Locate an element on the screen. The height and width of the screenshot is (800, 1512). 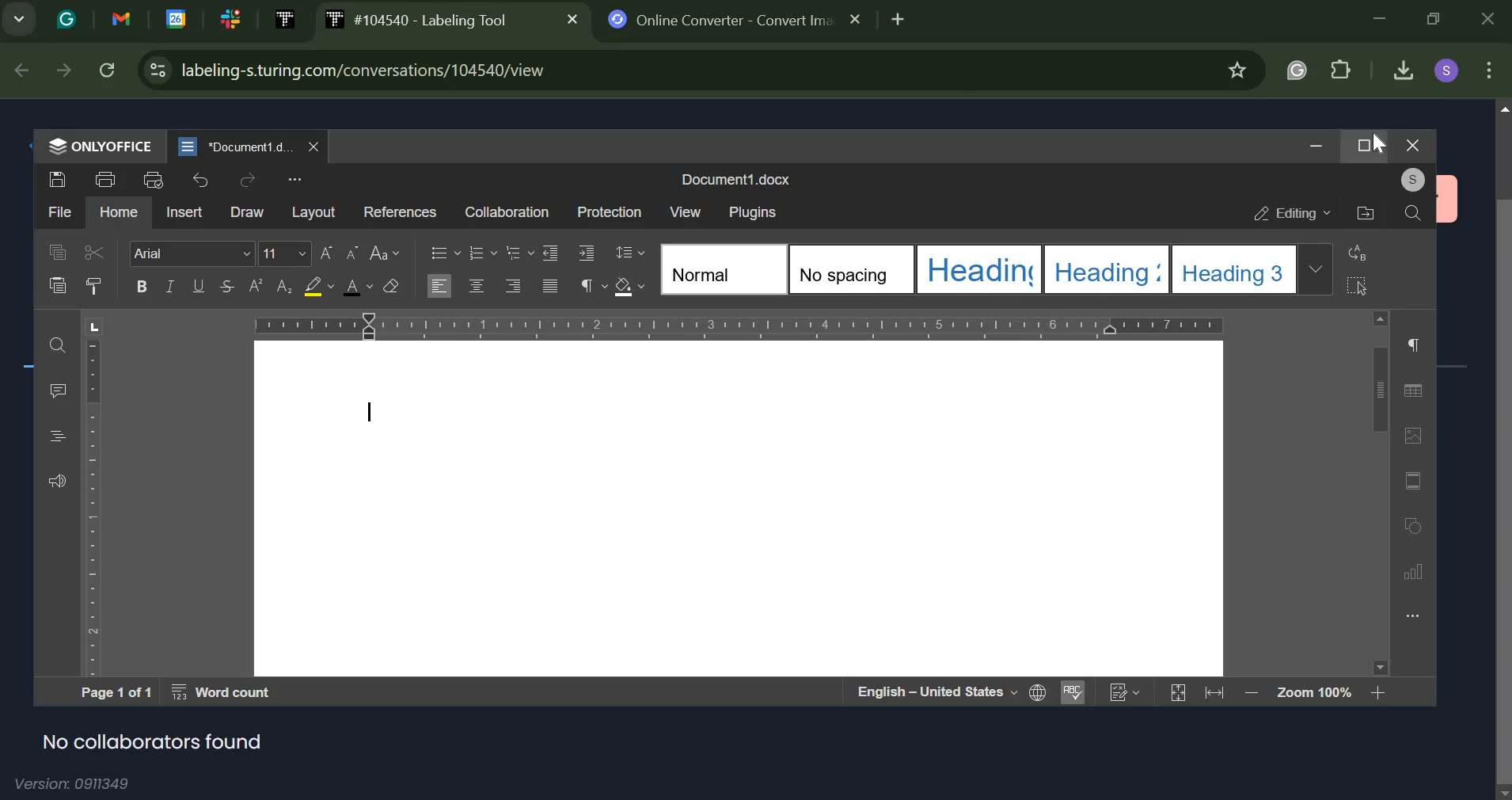
justified is located at coordinates (550, 286).